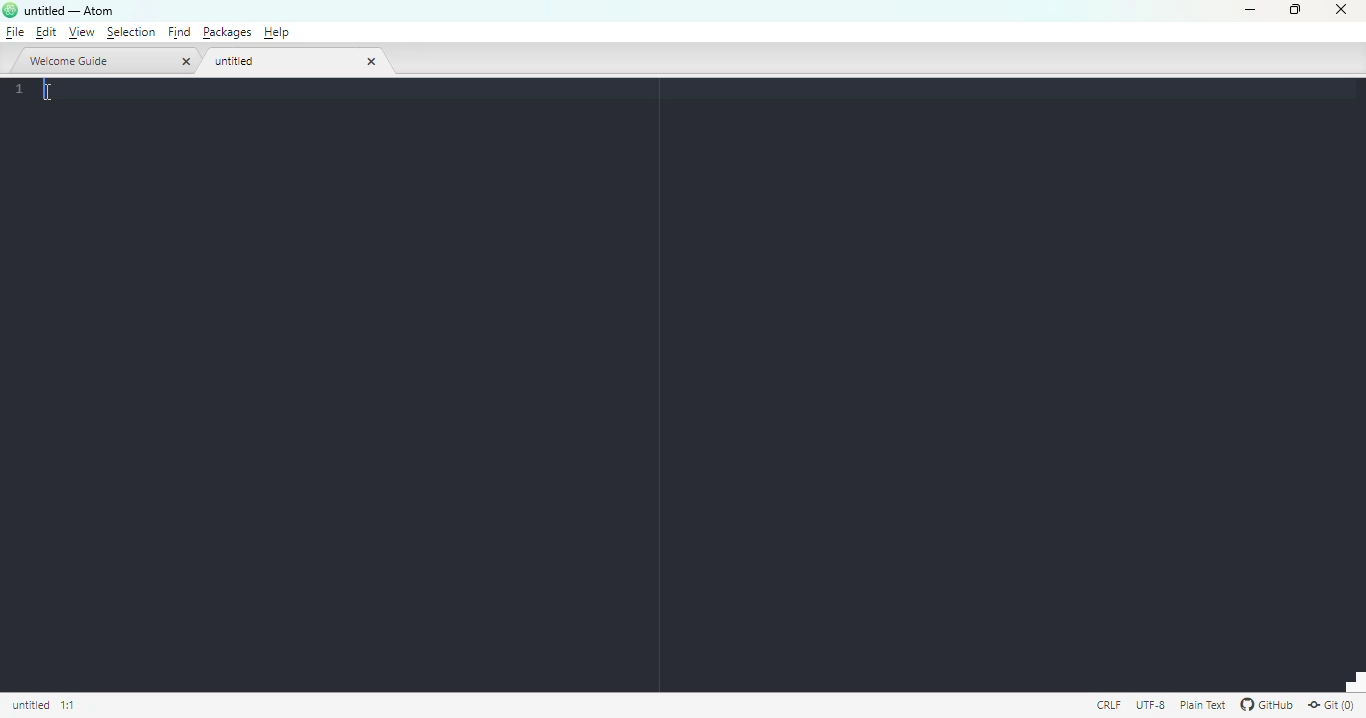  What do you see at coordinates (1333, 705) in the screenshot?
I see `git(0)` at bounding box center [1333, 705].